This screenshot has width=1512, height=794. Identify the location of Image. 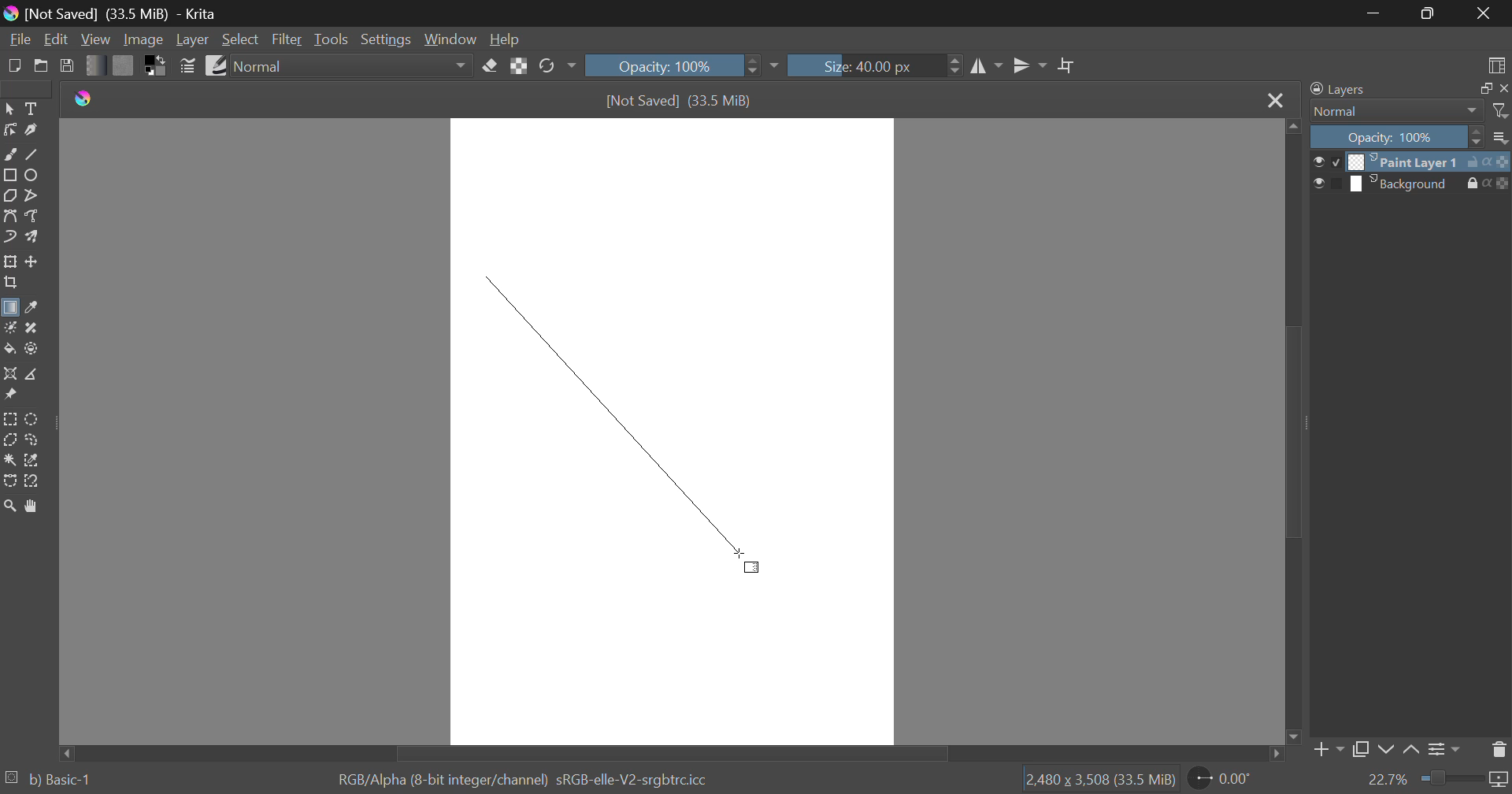
(142, 39).